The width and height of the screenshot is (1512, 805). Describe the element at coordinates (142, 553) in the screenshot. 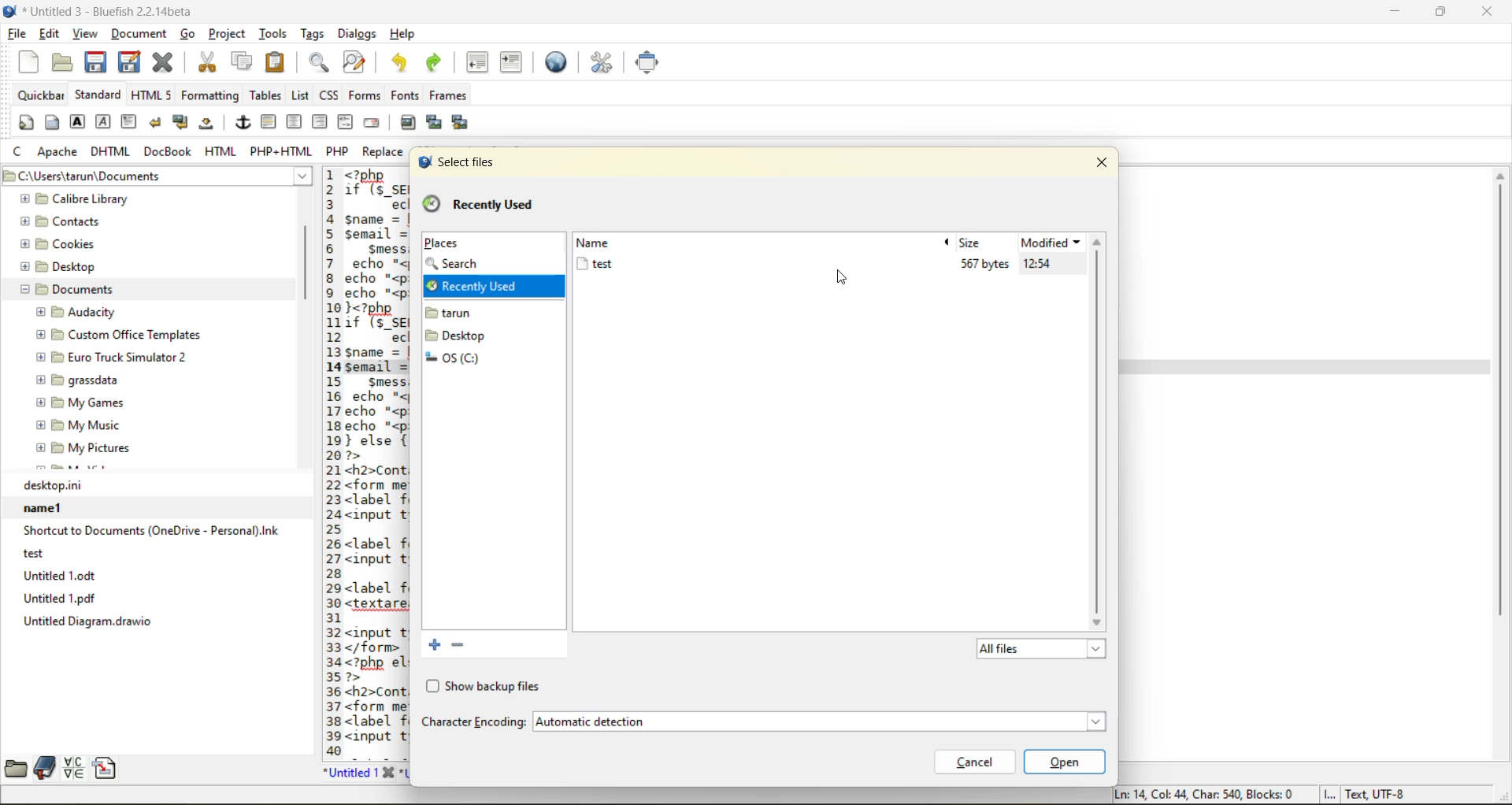

I see `test` at that location.